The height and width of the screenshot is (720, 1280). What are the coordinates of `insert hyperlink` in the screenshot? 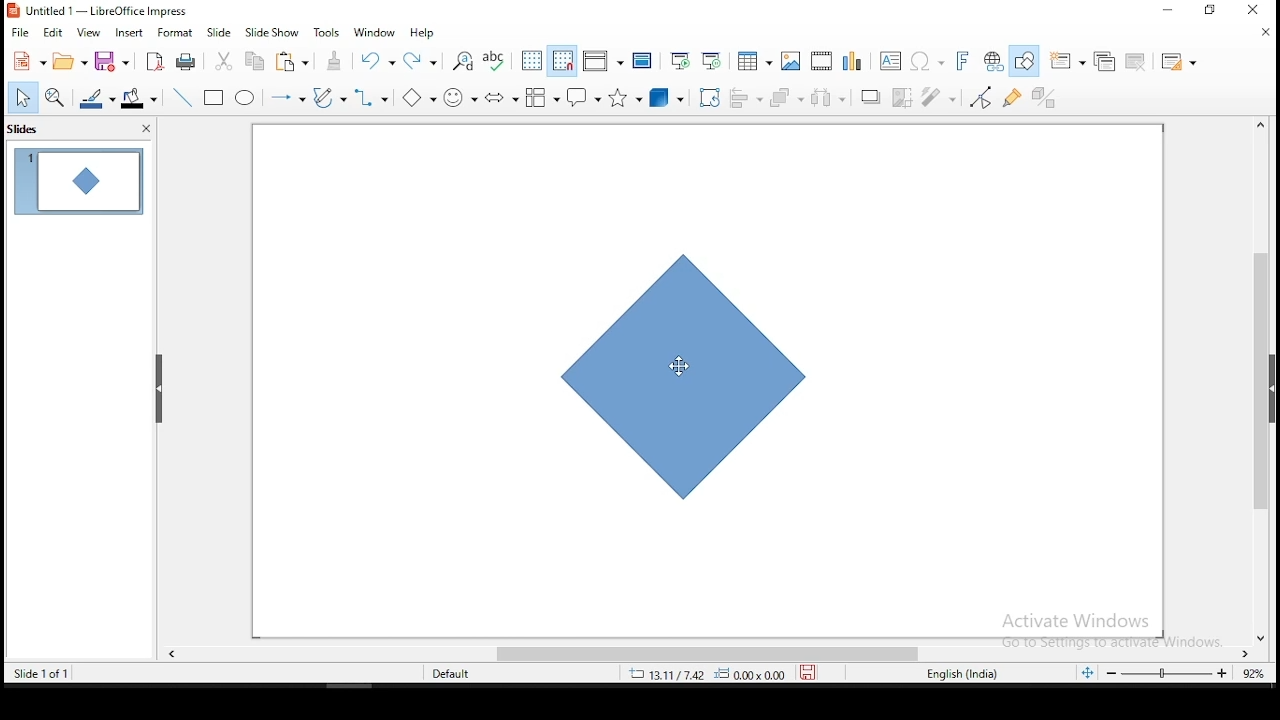 It's located at (994, 61).